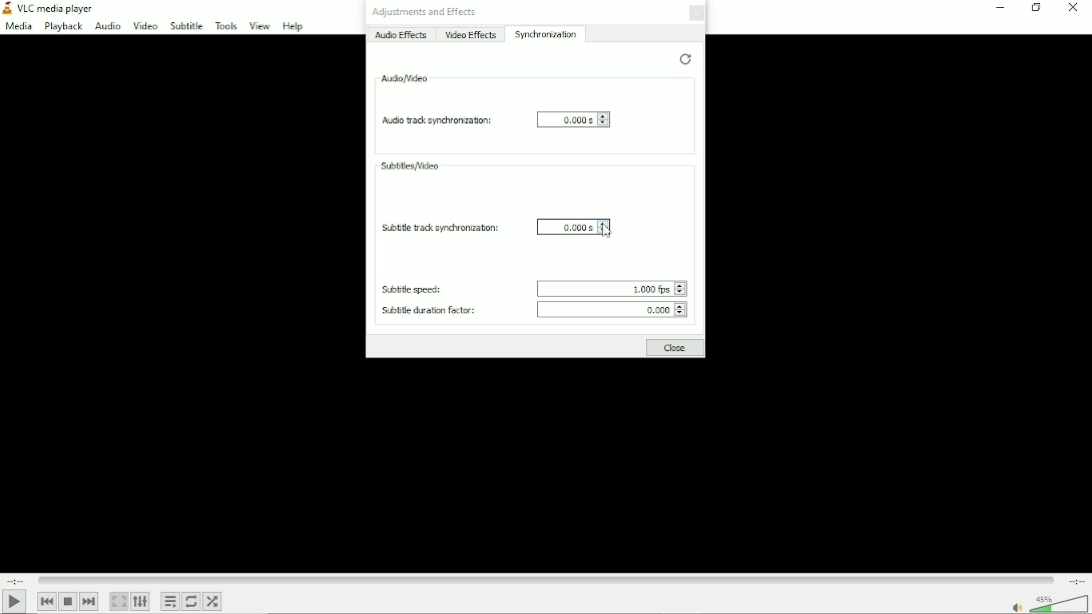  Describe the element at coordinates (604, 233) in the screenshot. I see `Mouse Cursor` at that location.